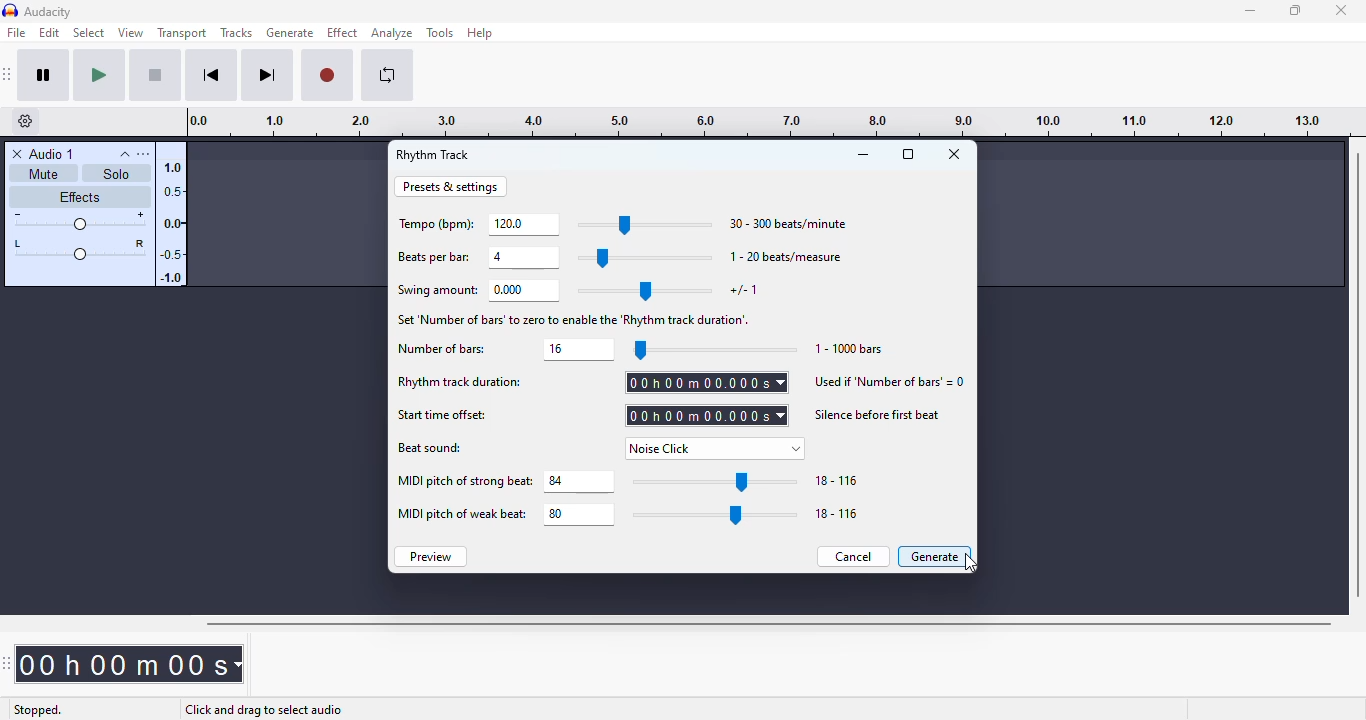 The height and width of the screenshot is (720, 1366). Describe the element at coordinates (853, 557) in the screenshot. I see `cancel` at that location.